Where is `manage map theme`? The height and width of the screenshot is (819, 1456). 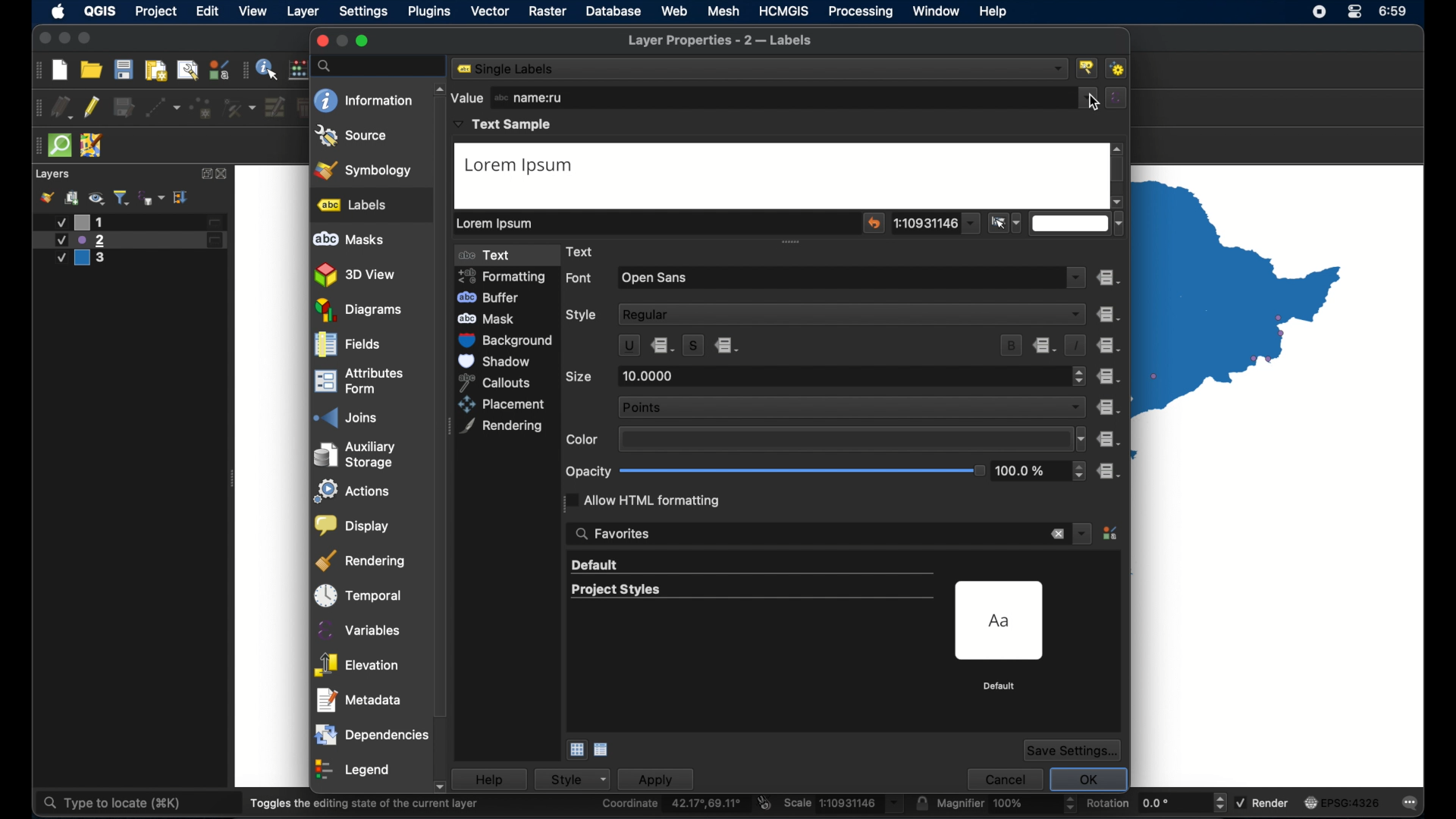 manage map theme is located at coordinates (96, 198).